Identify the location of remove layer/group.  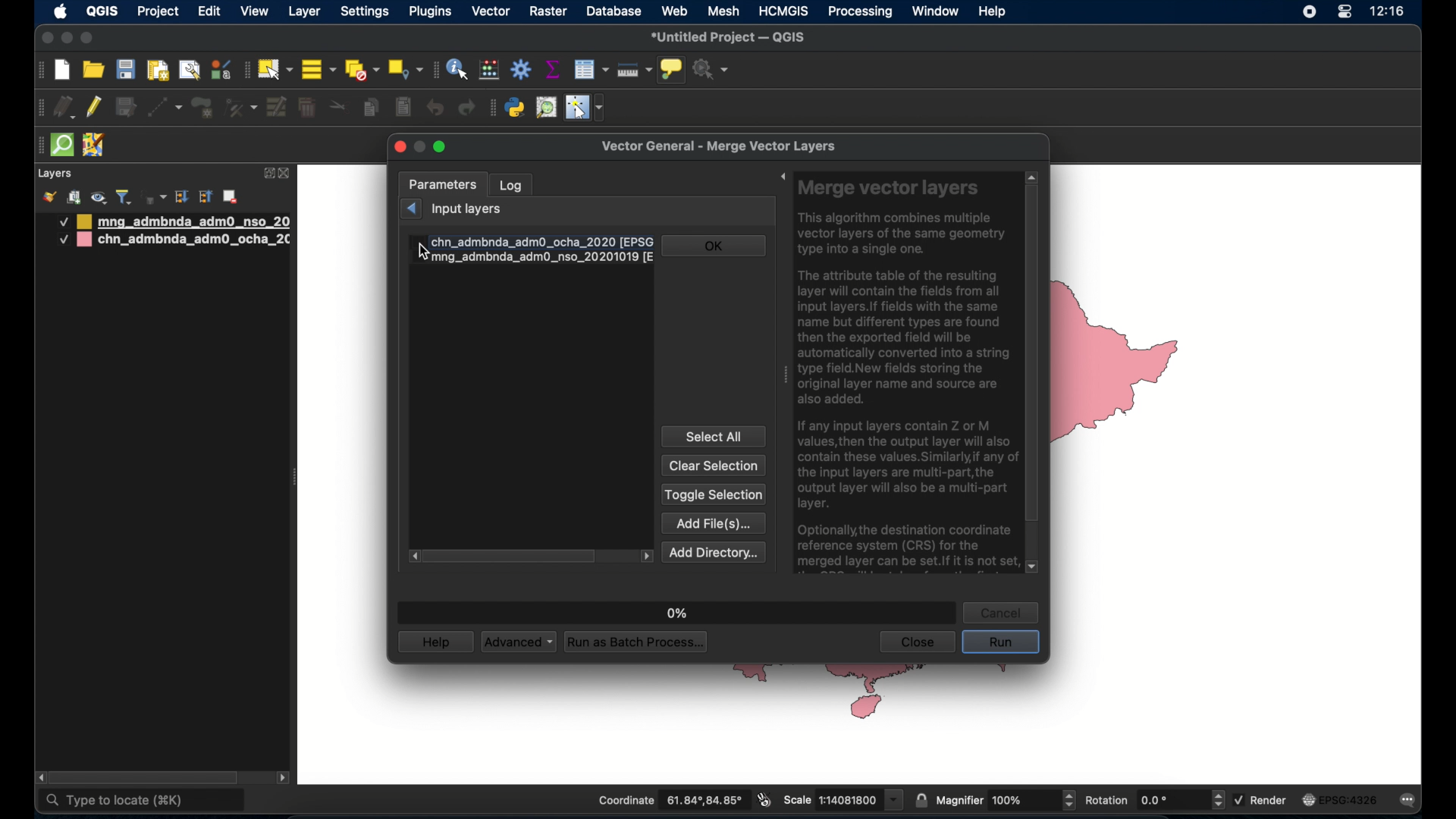
(233, 196).